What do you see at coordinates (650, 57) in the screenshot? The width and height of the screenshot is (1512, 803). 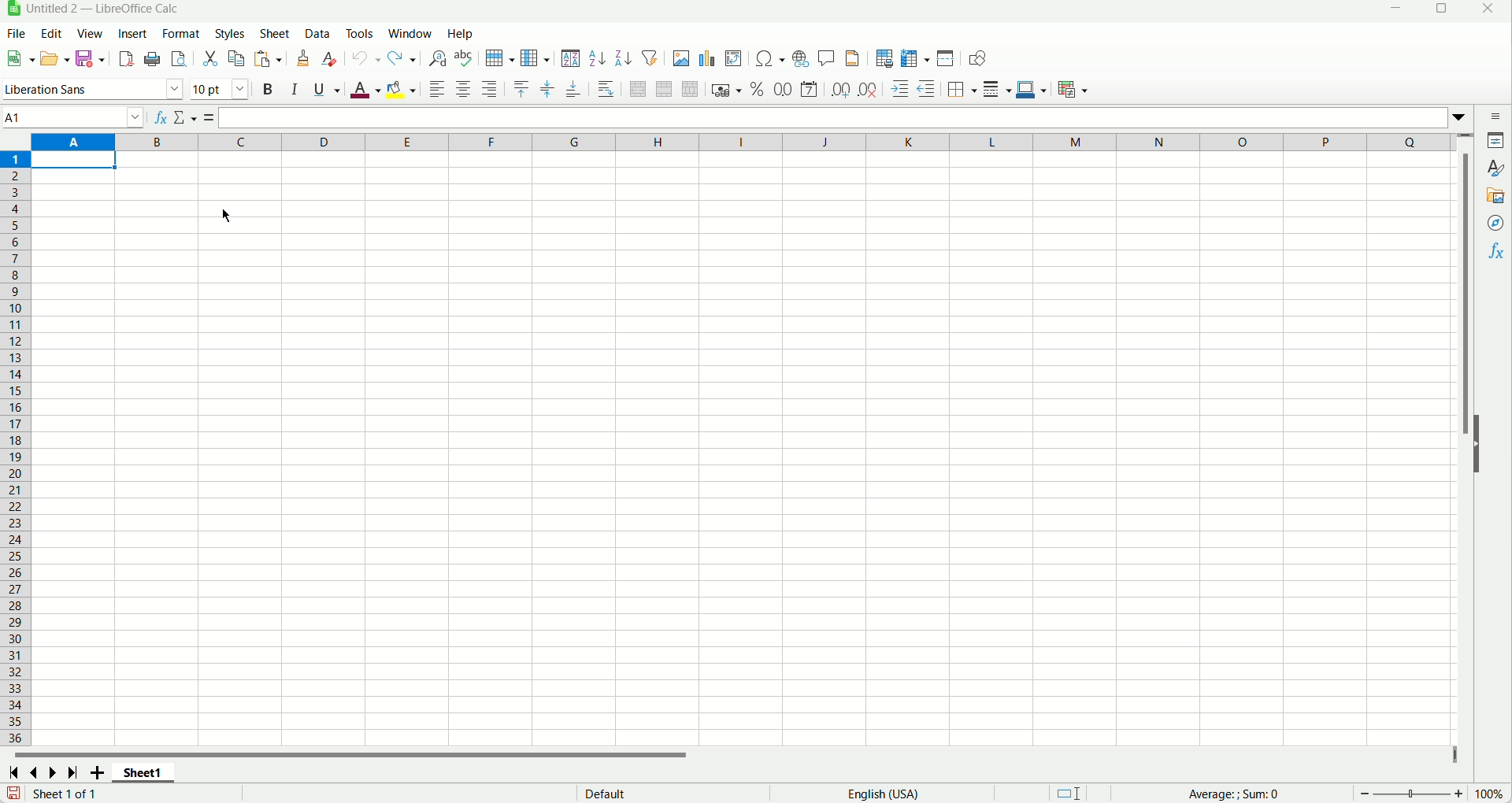 I see `Autofilter` at bounding box center [650, 57].